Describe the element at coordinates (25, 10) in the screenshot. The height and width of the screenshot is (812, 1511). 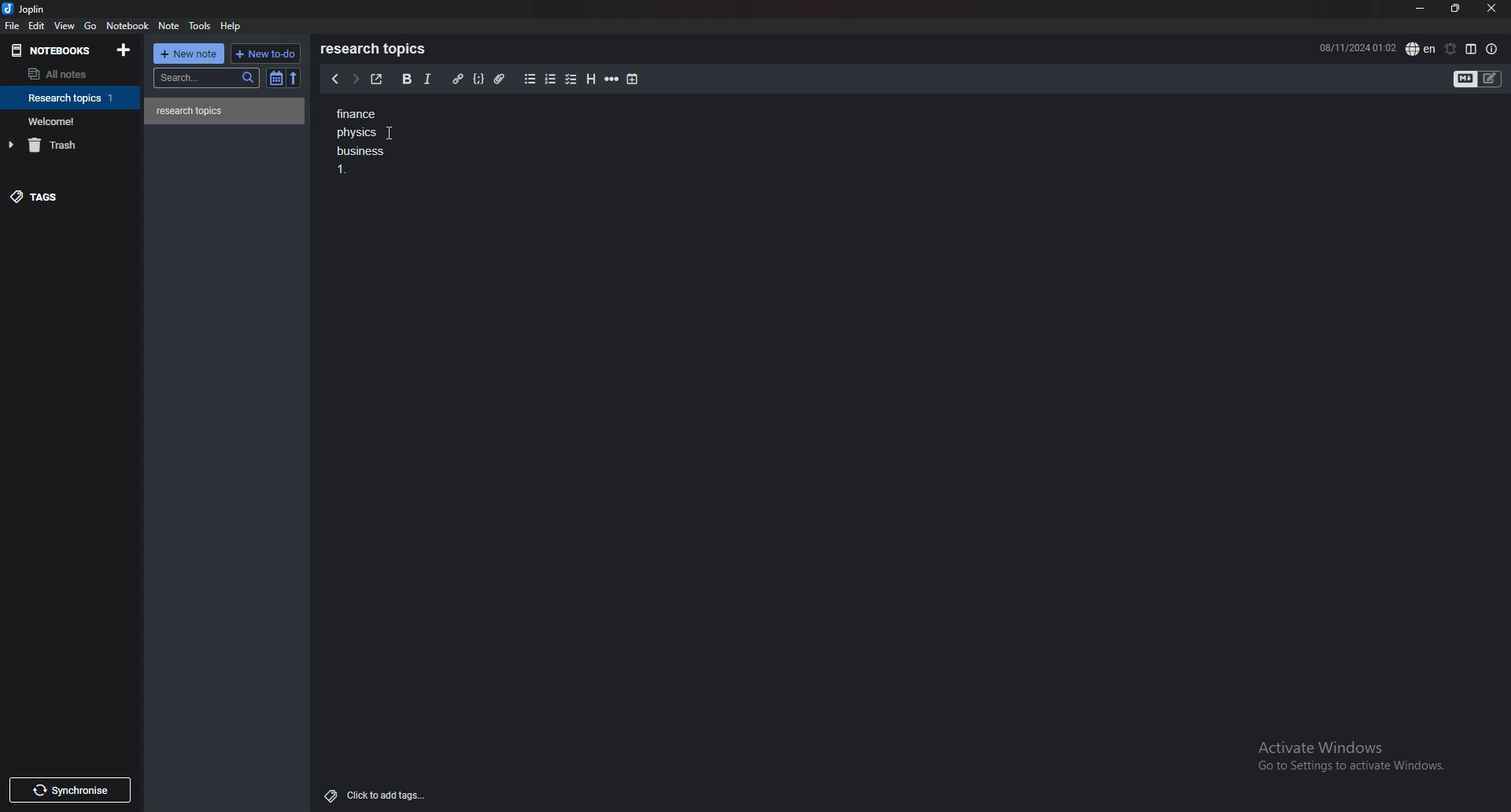
I see `joplin` at that location.